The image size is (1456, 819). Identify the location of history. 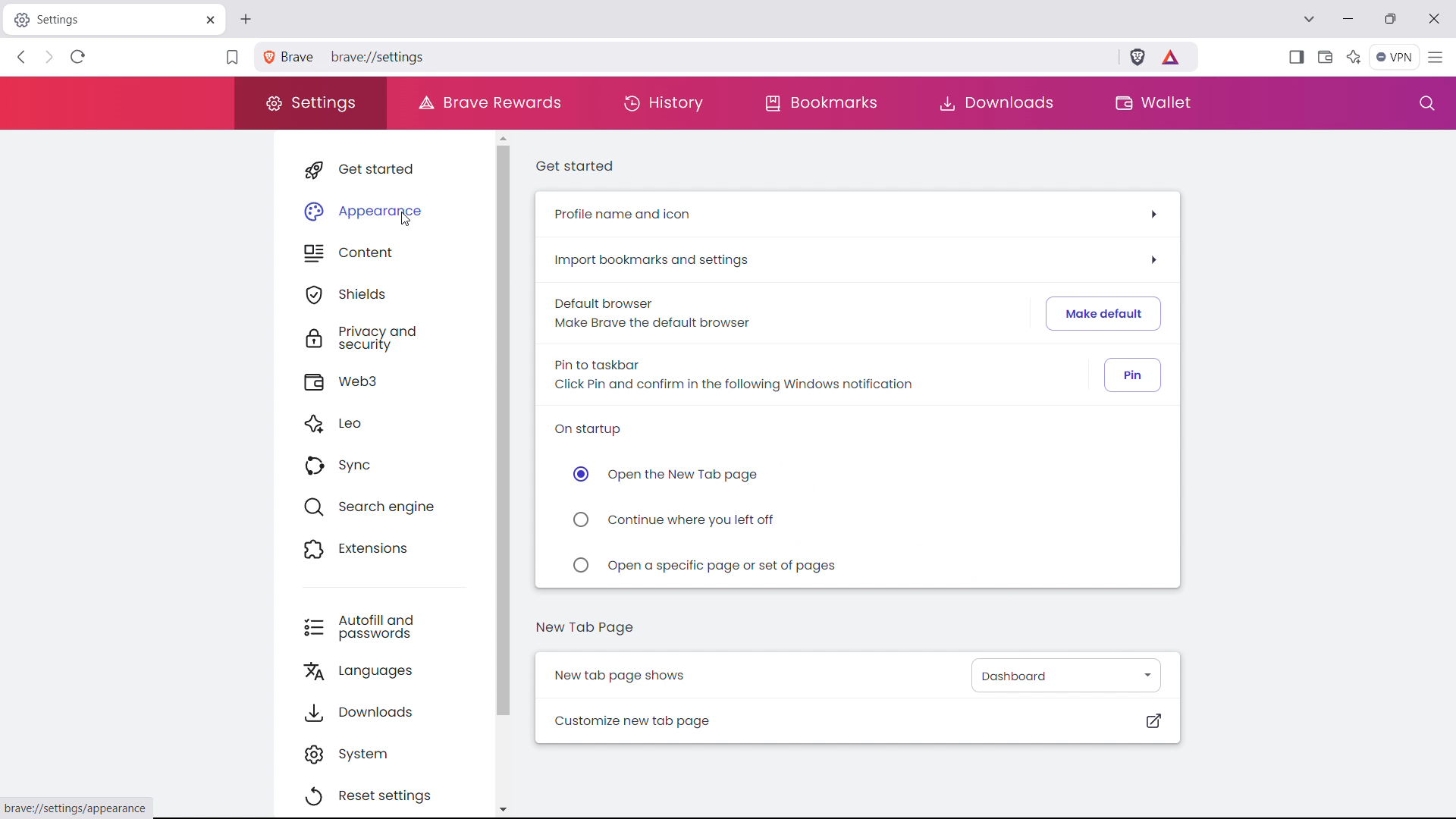
(666, 104).